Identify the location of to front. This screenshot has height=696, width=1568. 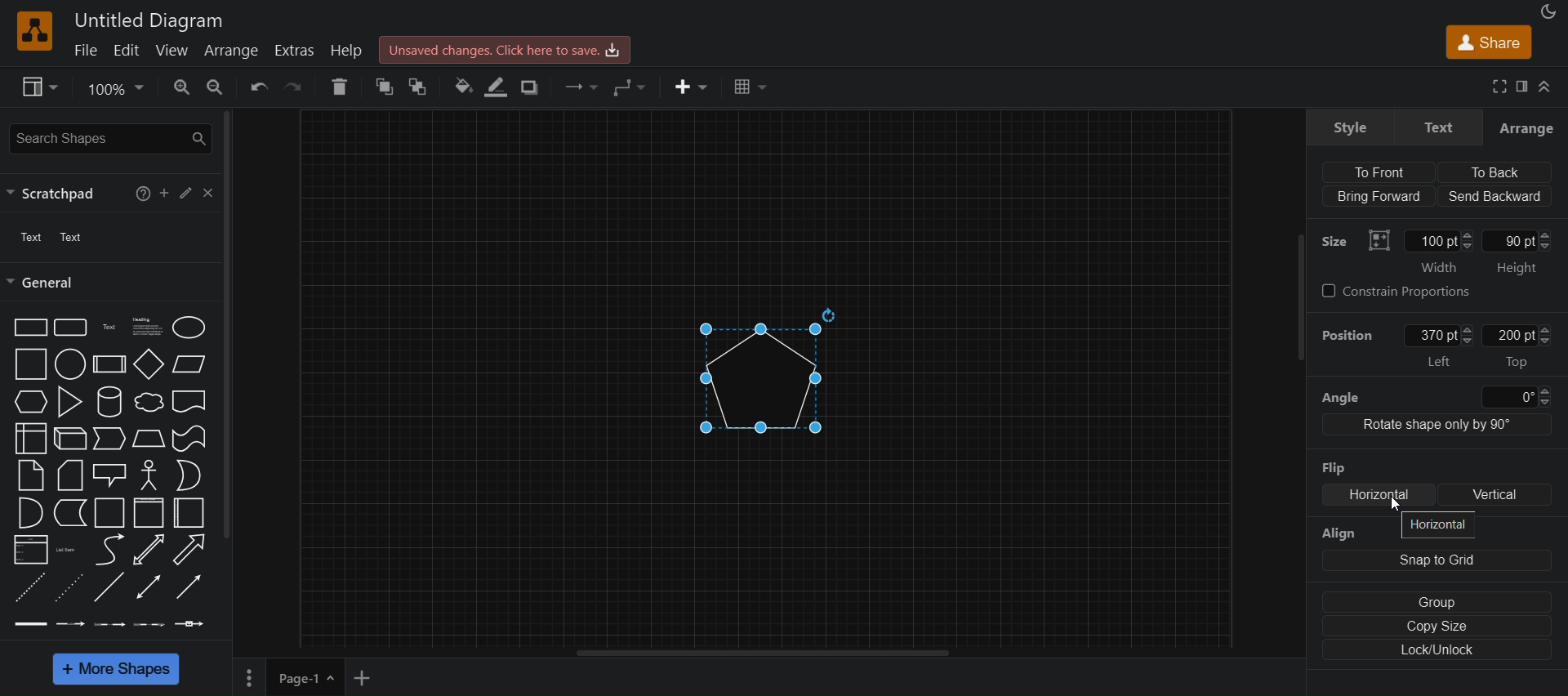
(385, 85).